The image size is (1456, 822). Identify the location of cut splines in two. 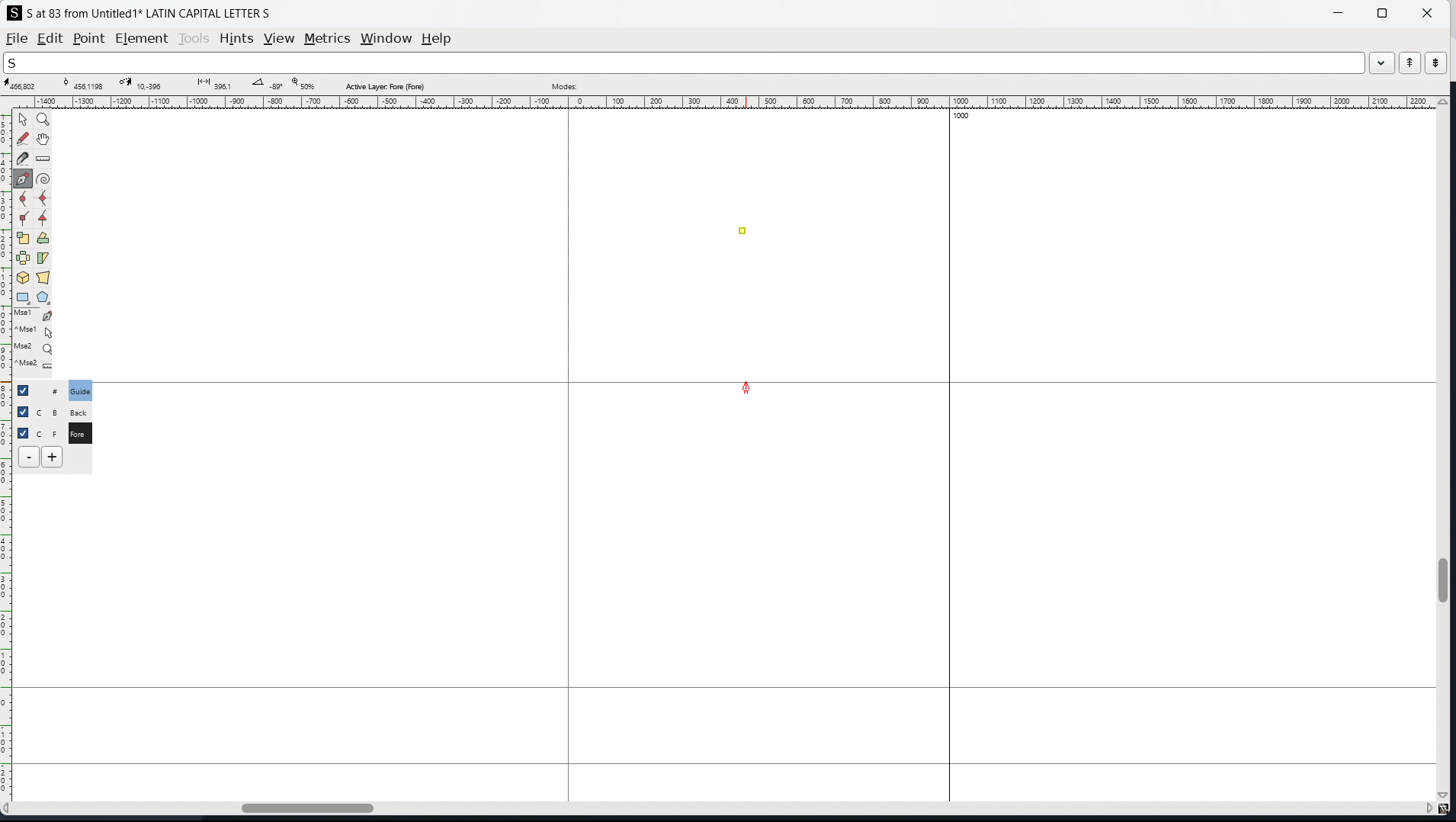
(23, 159).